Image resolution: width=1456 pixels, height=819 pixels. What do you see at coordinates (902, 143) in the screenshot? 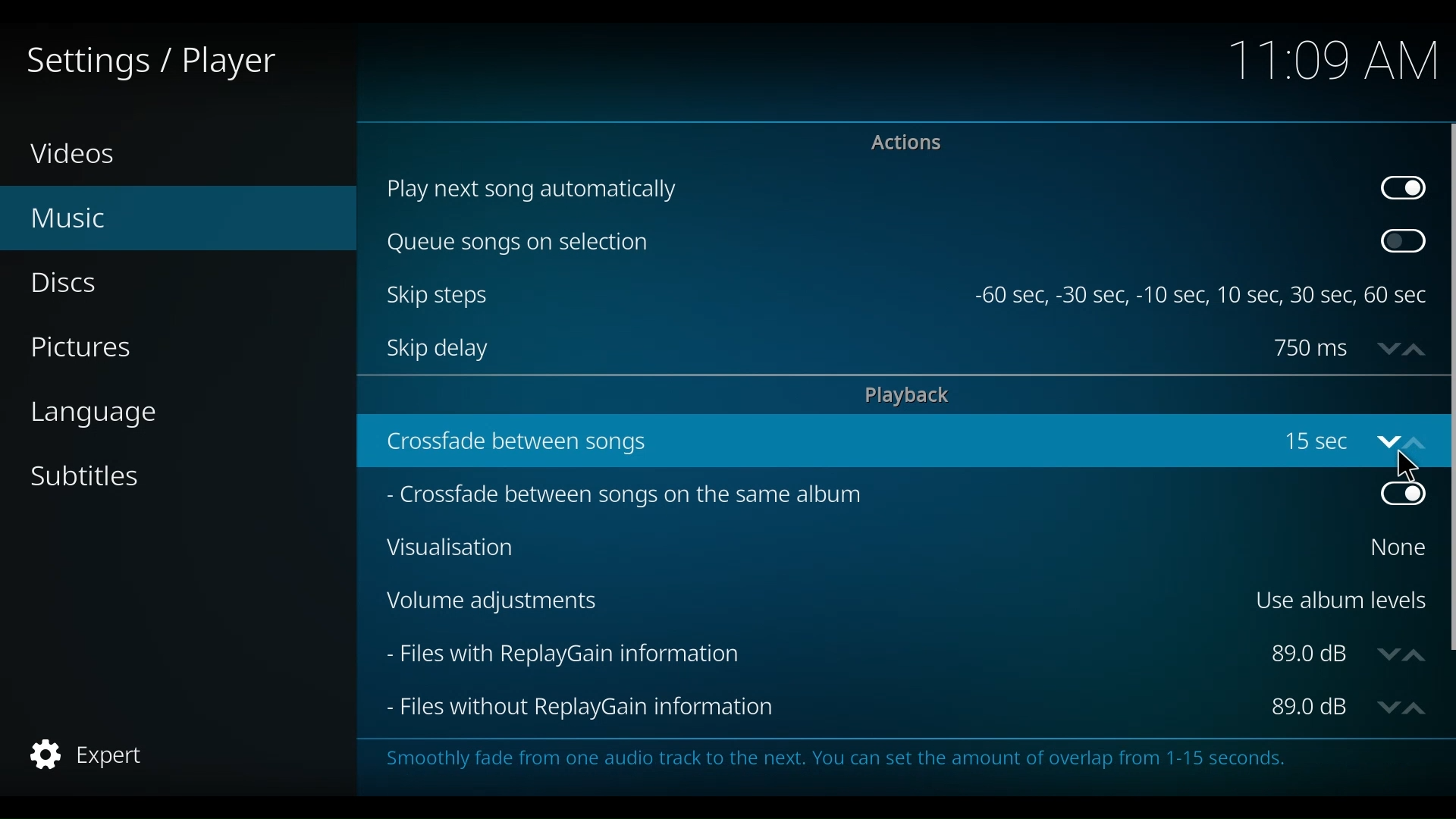
I see `Actions` at bounding box center [902, 143].